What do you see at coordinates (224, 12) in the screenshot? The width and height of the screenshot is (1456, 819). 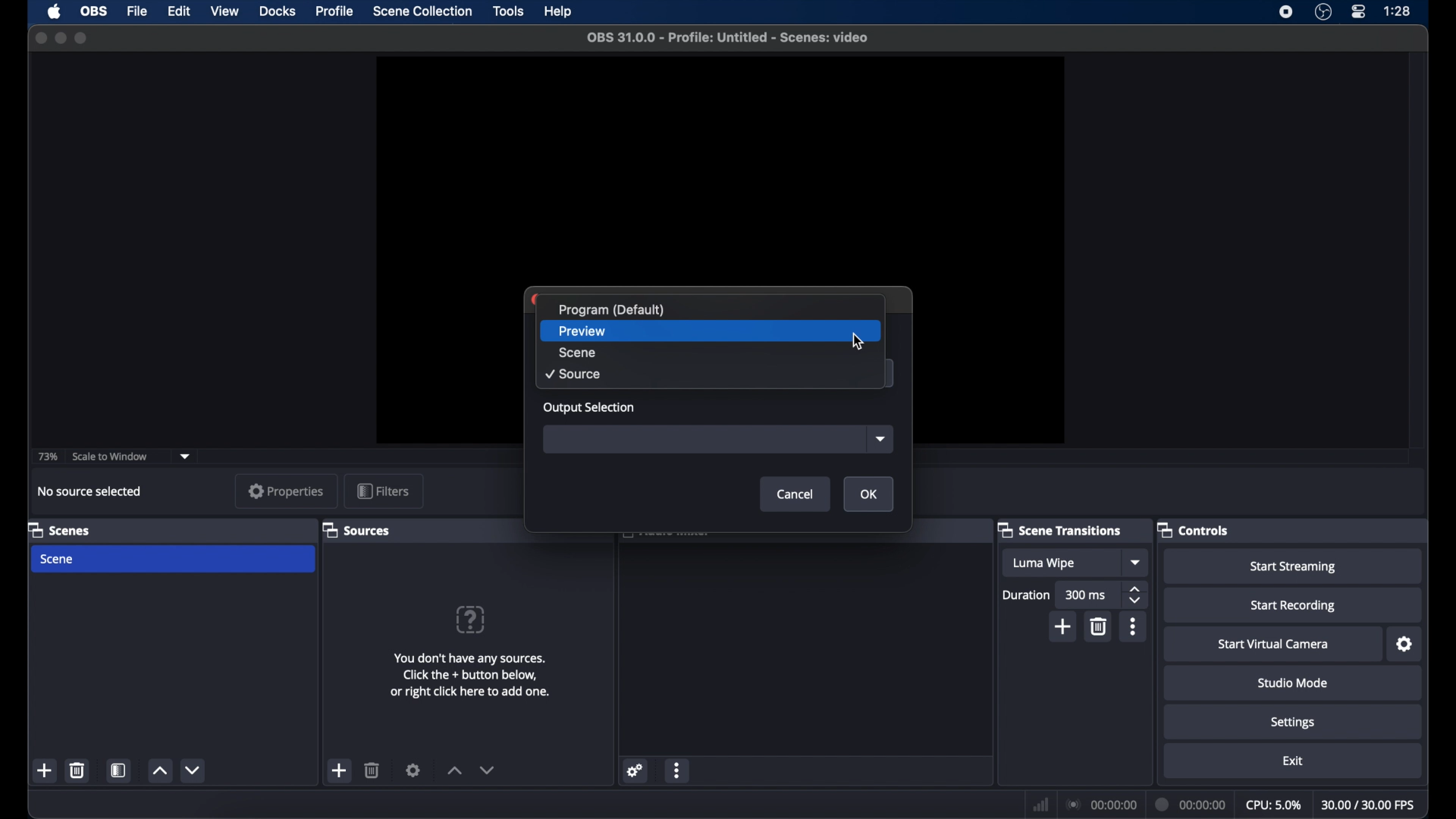 I see `view` at bounding box center [224, 12].